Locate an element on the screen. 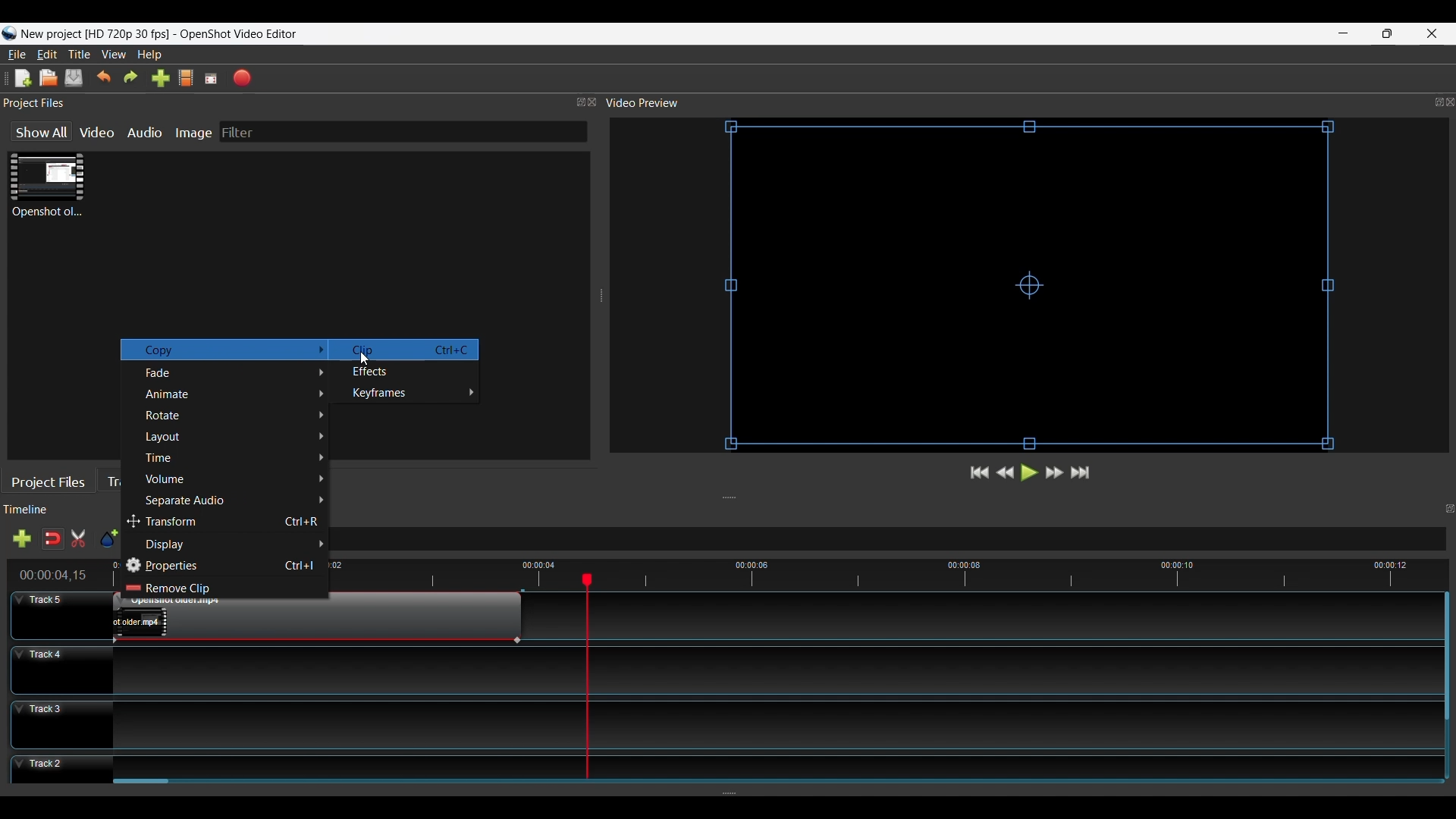 The image size is (1456, 819). Project Files Panel is located at coordinates (300, 103).